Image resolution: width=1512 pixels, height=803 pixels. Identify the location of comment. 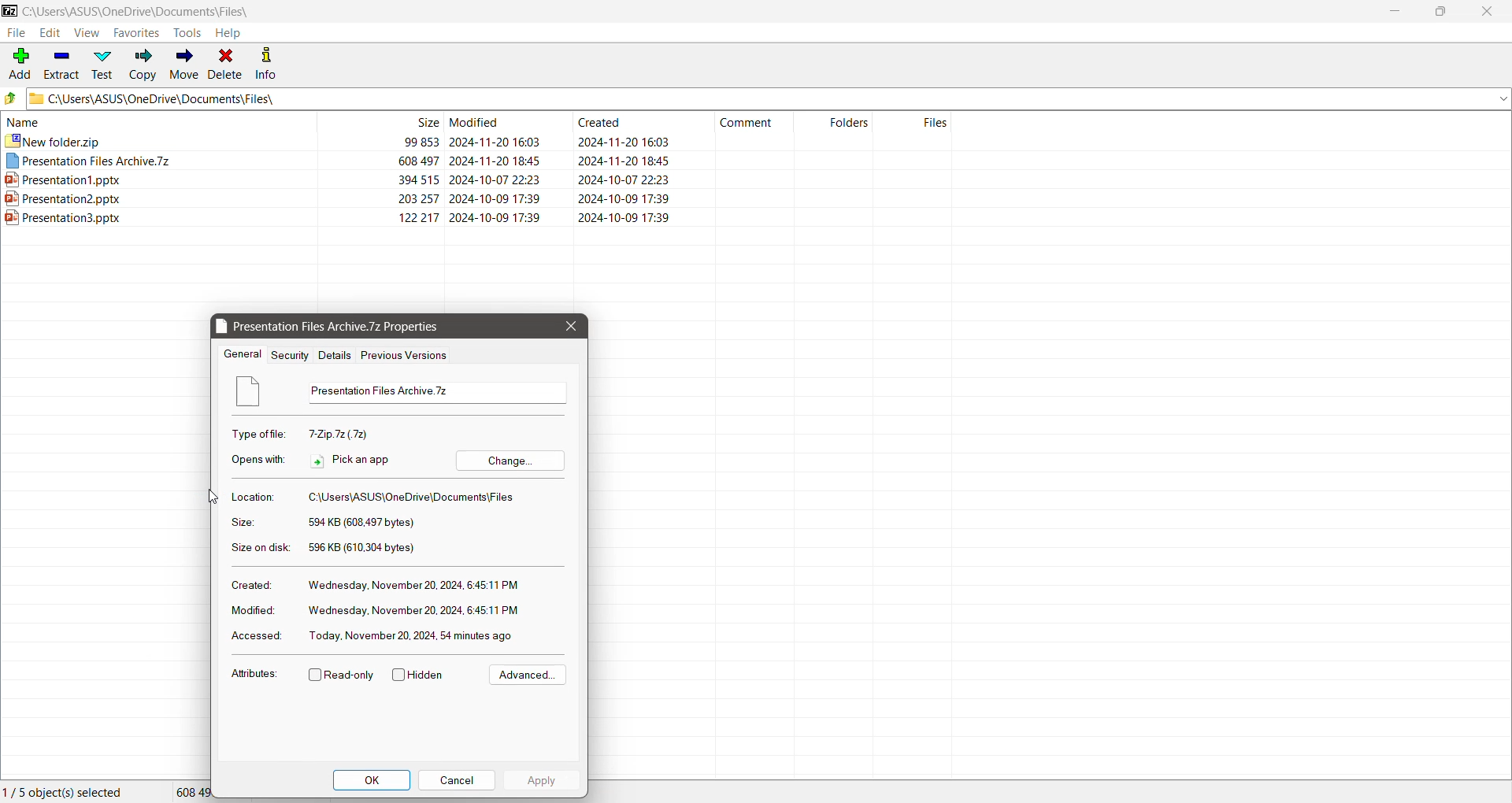
(752, 124).